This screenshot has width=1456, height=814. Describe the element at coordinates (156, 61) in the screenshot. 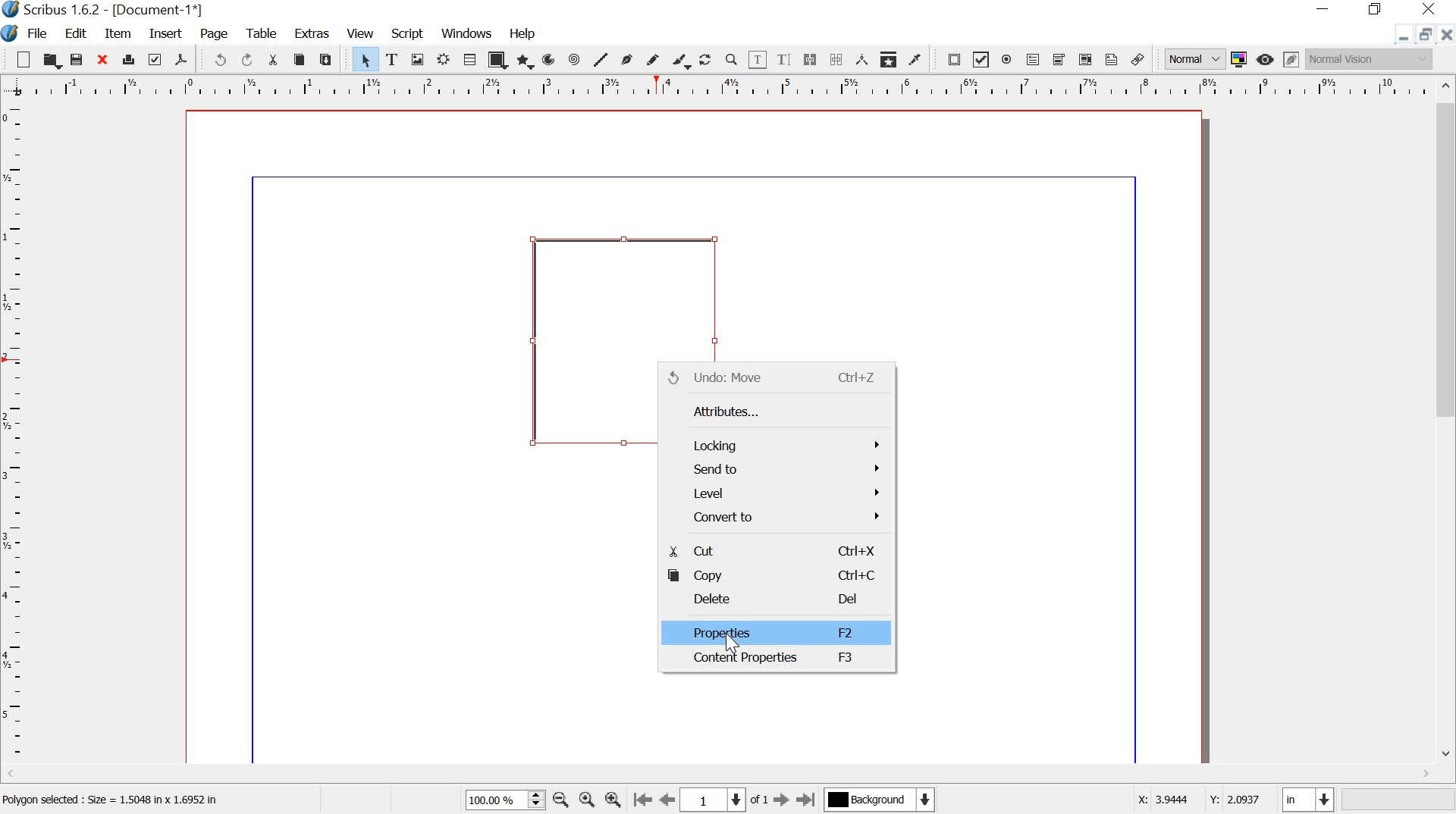

I see `preflight verifier` at that location.